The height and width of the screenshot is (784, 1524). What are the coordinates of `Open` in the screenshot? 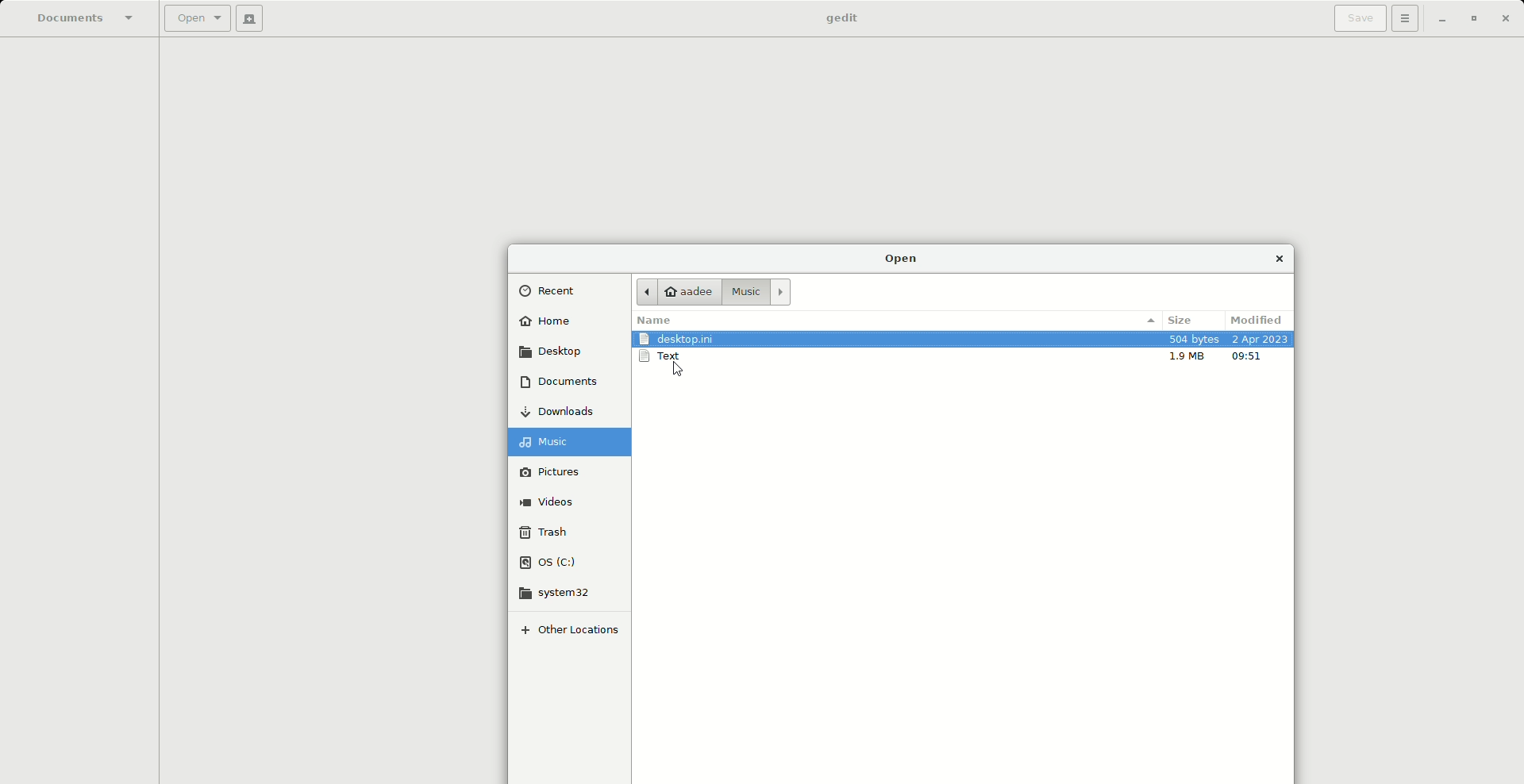 It's located at (903, 259).